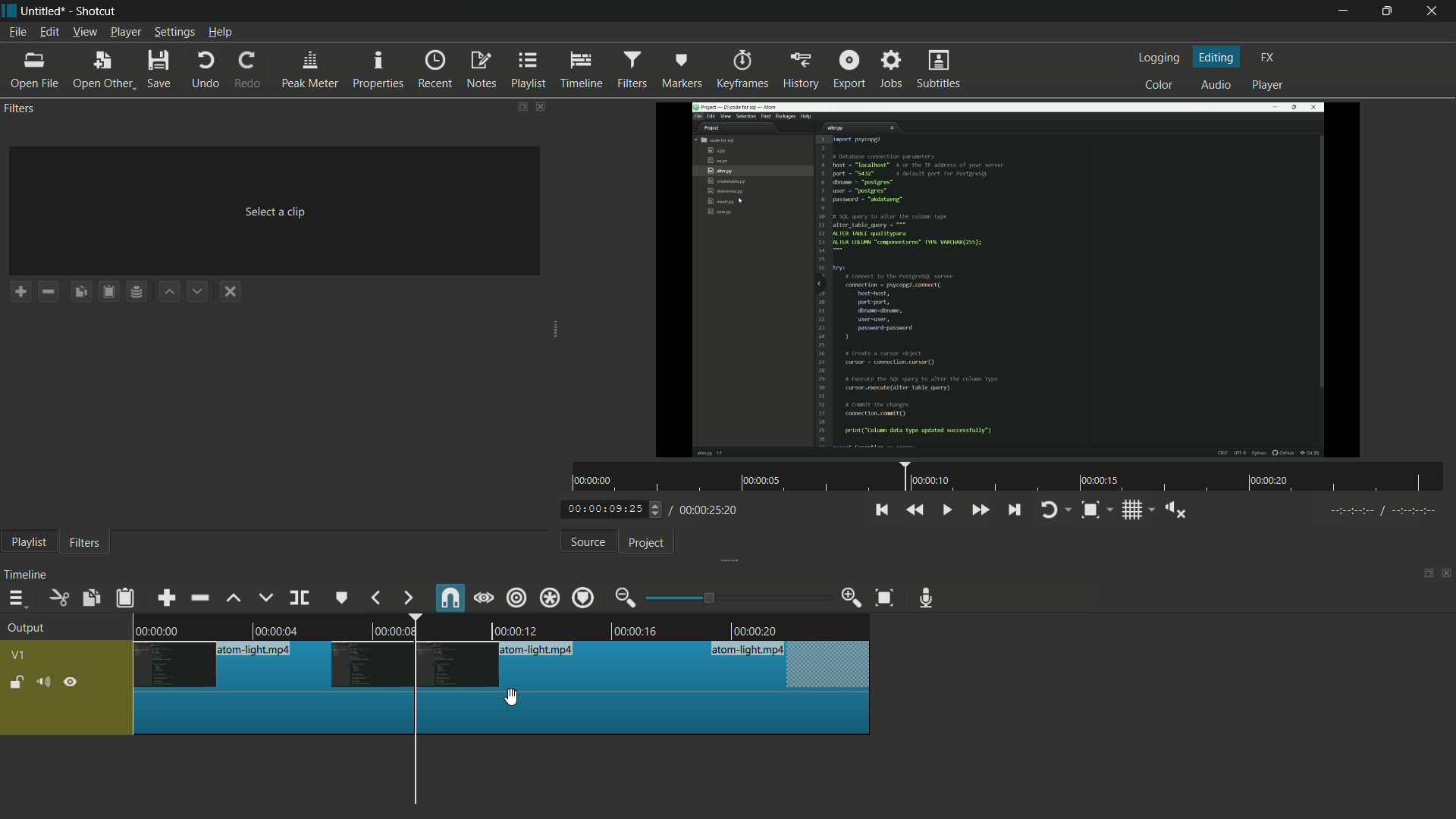 This screenshot has height=819, width=1456. Describe the element at coordinates (979, 510) in the screenshot. I see `quickly play forward` at that location.